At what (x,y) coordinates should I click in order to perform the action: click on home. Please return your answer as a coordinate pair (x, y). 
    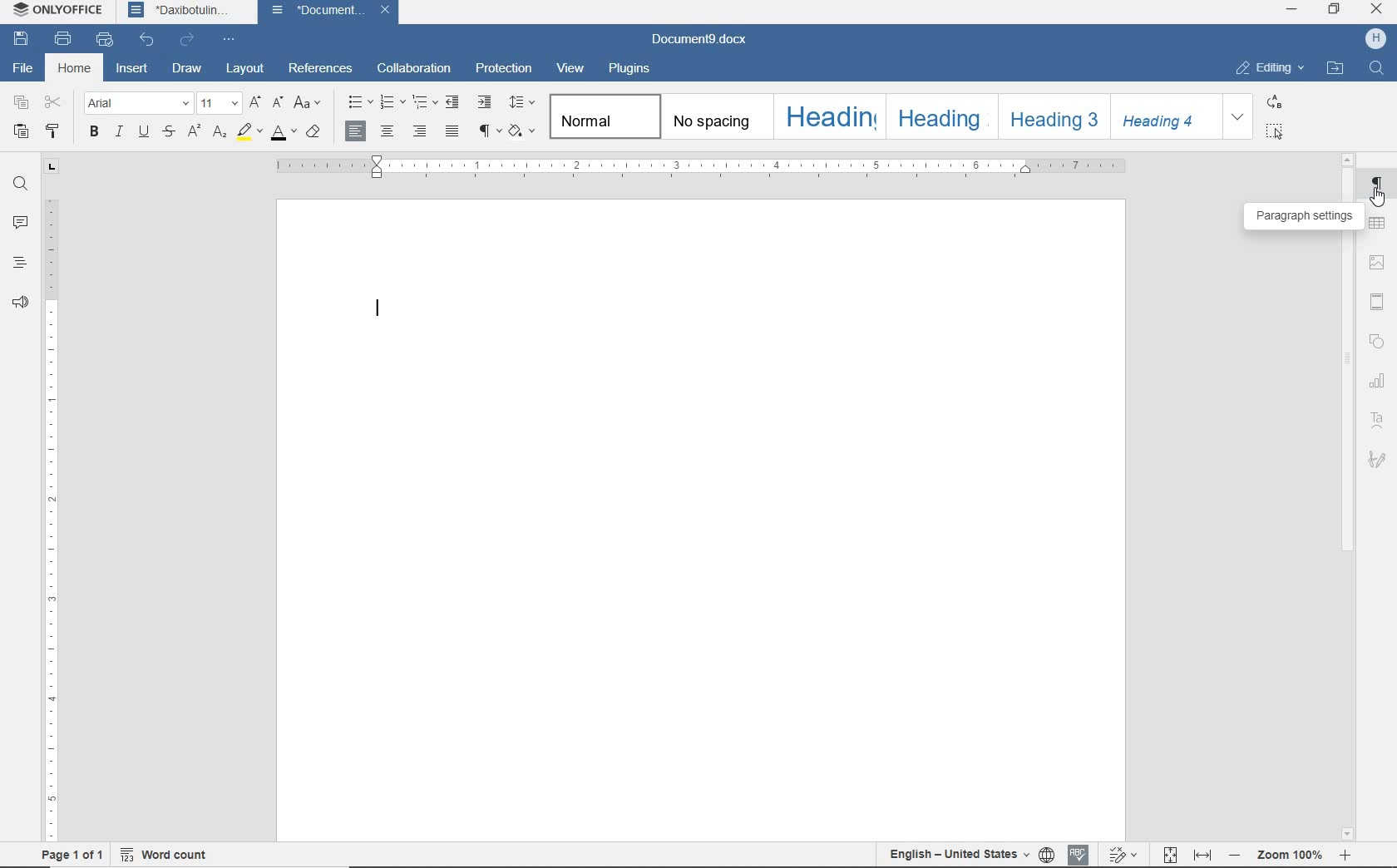
    Looking at the image, I should click on (73, 67).